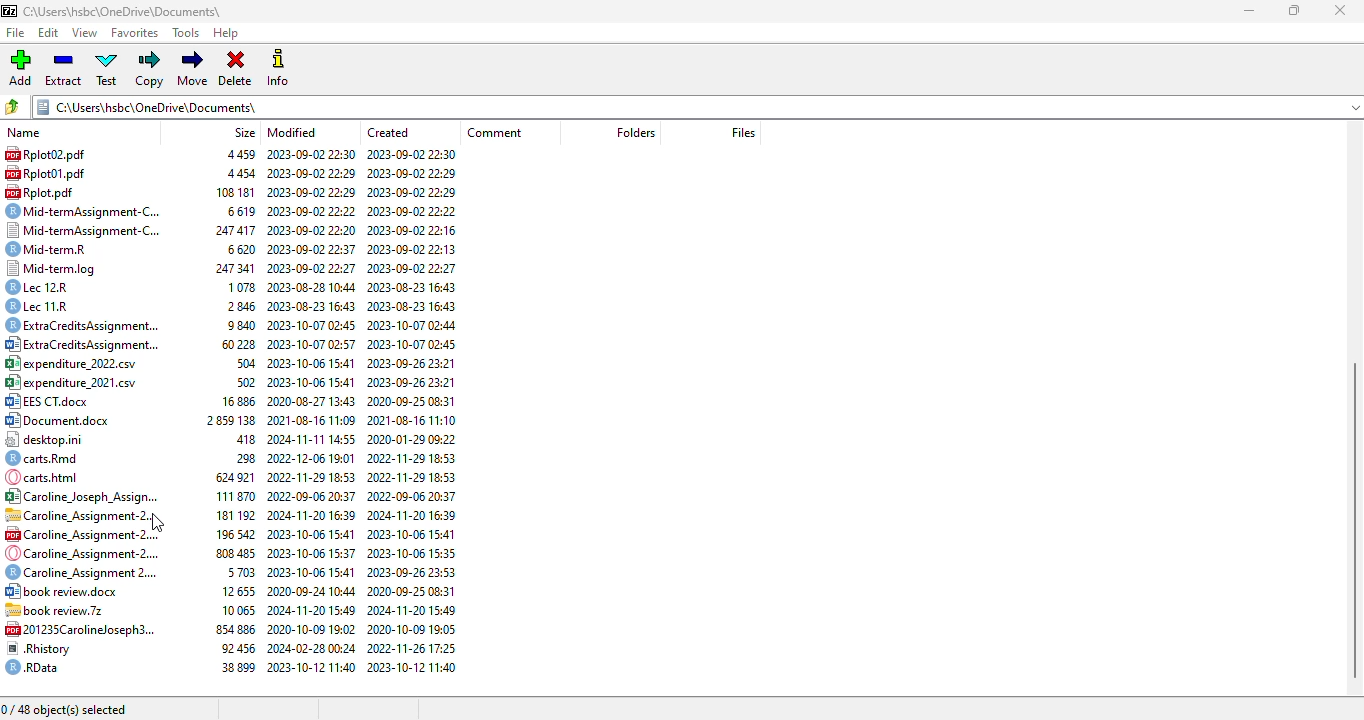 This screenshot has height=720, width=1364. I want to click on 2022-12-06 19:01, so click(312, 456).